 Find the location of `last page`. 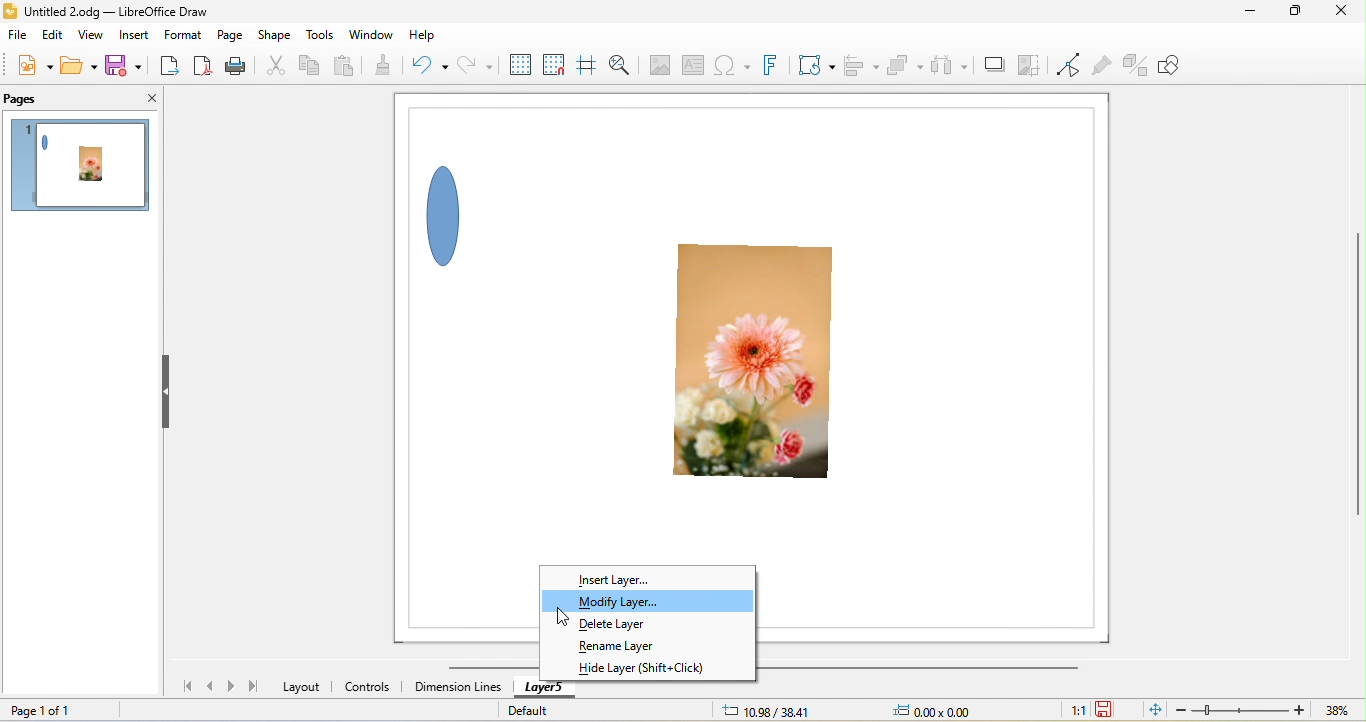

last page is located at coordinates (254, 685).